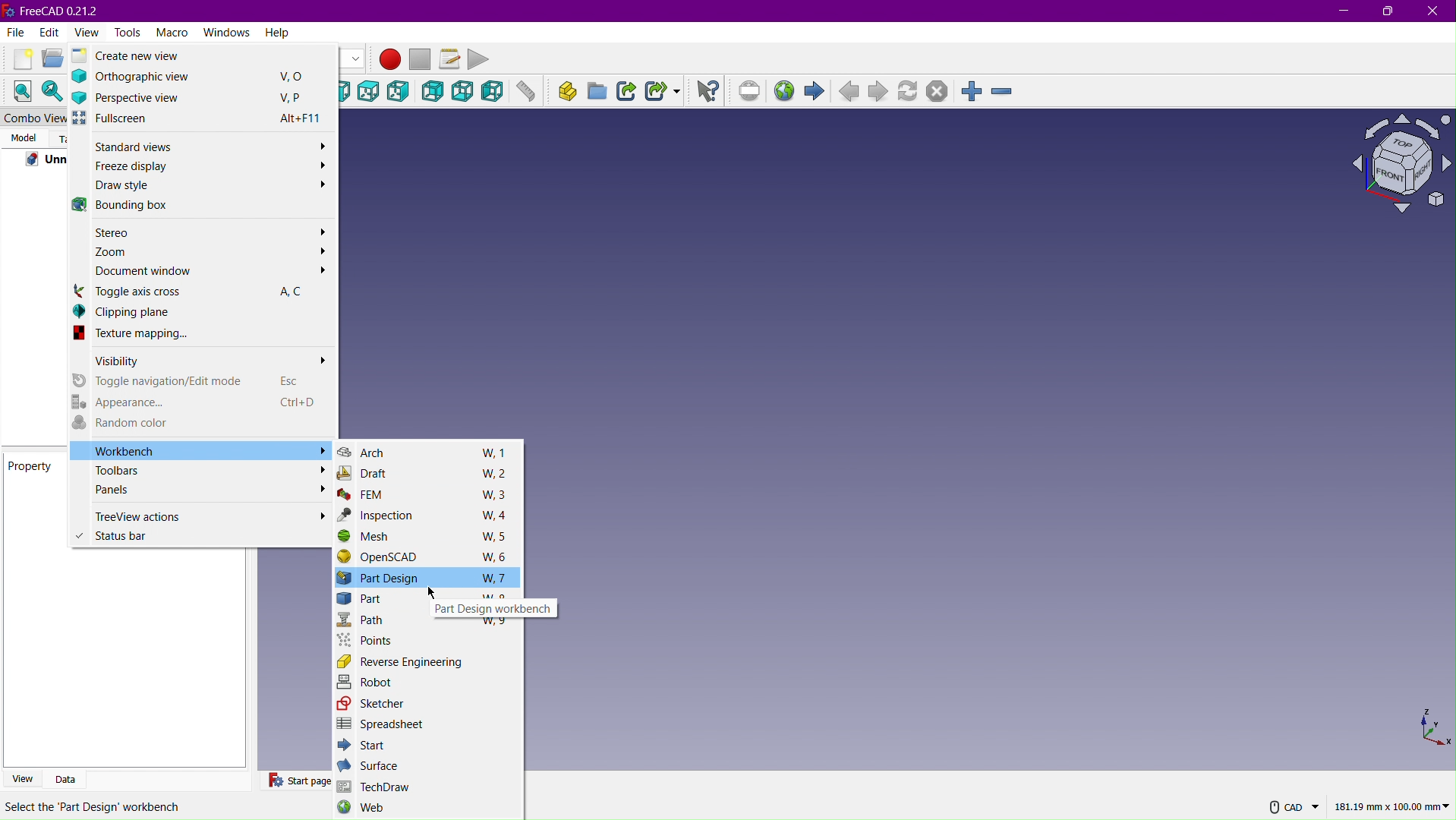  Describe the element at coordinates (1291, 803) in the screenshot. I see `CAD` at that location.